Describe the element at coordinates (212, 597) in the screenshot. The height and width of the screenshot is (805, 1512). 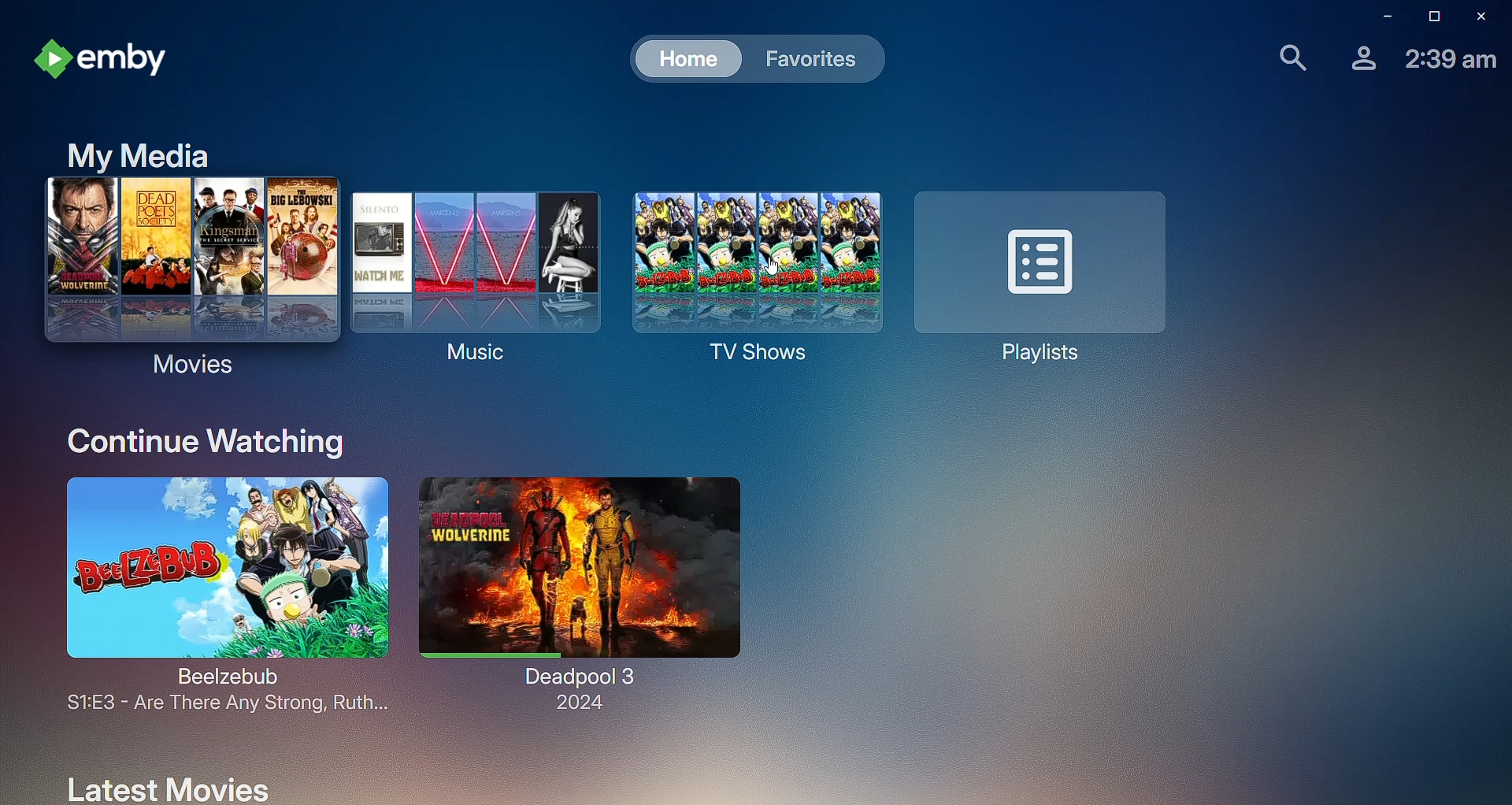
I see `Beelzebub` at that location.